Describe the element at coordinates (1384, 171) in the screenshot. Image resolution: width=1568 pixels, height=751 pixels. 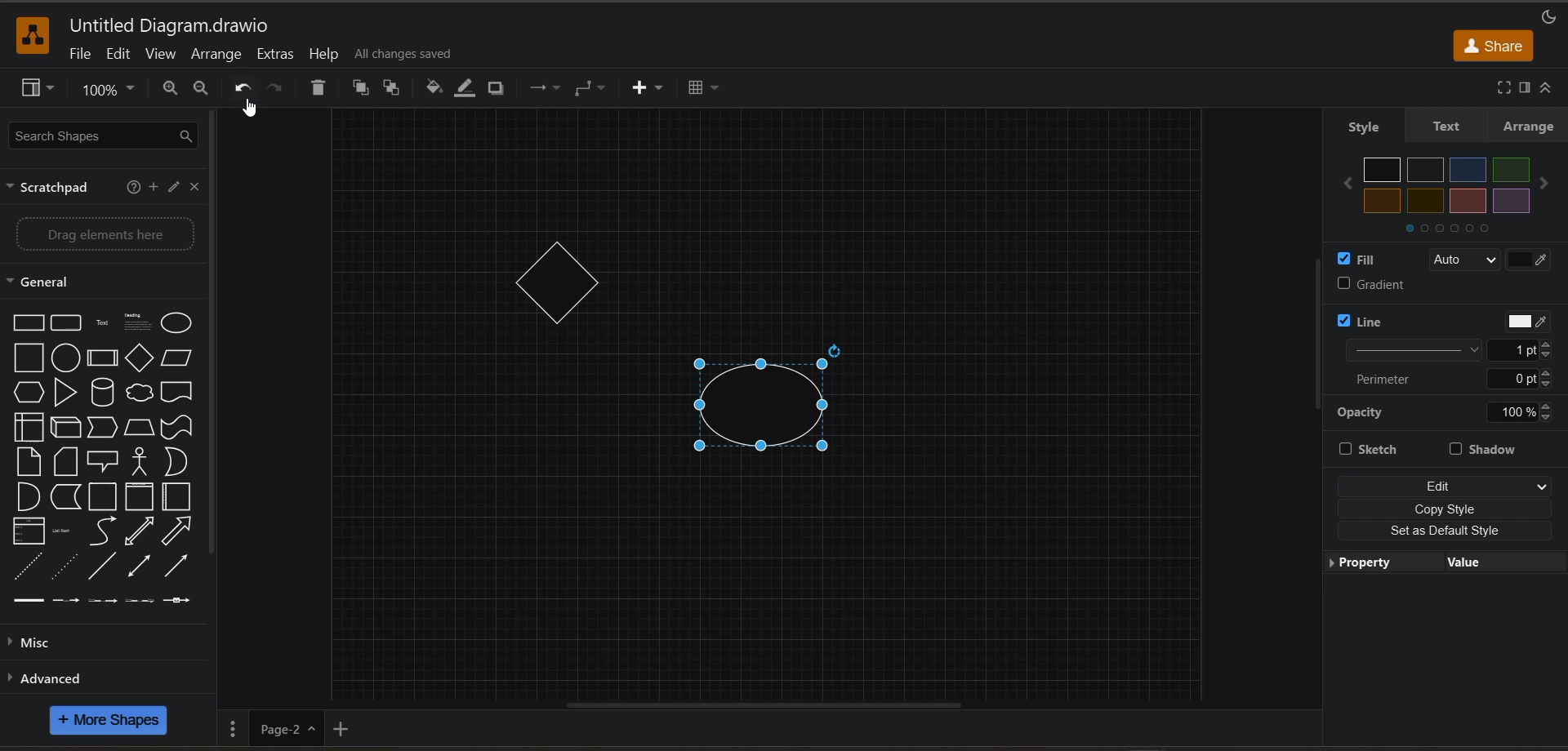
I see `Color 1` at that location.